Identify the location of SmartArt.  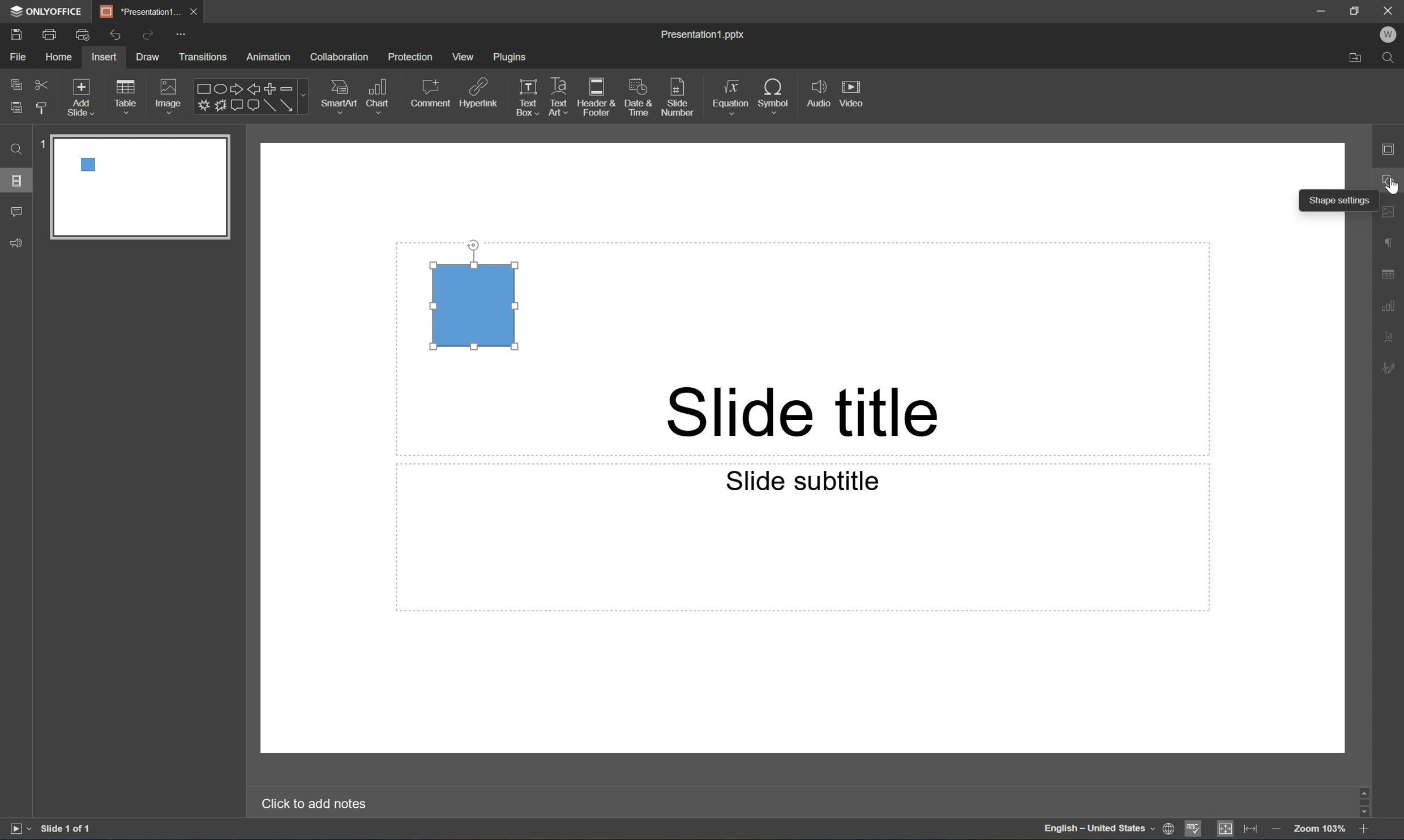
(338, 94).